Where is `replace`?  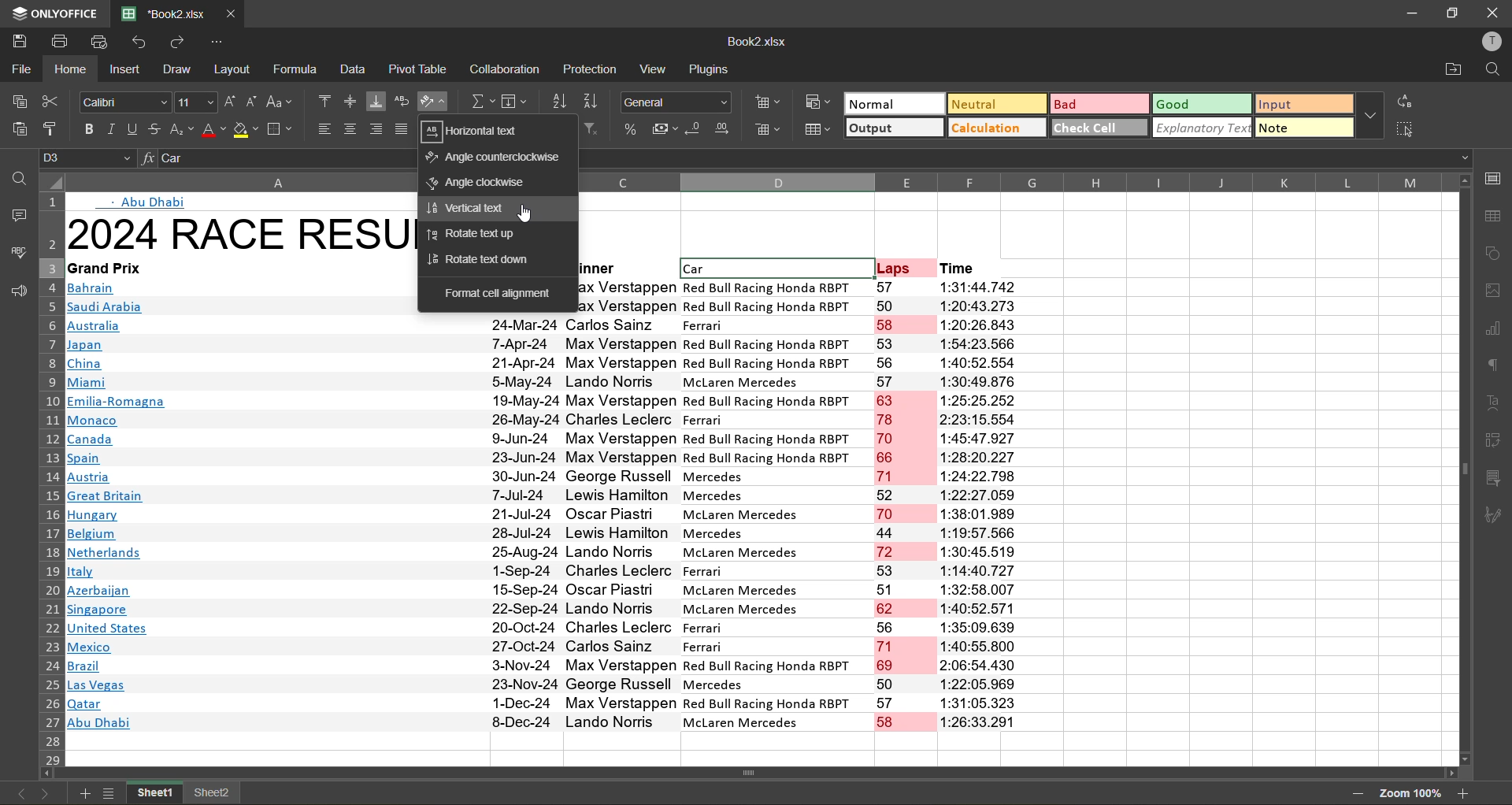 replace is located at coordinates (1409, 101).